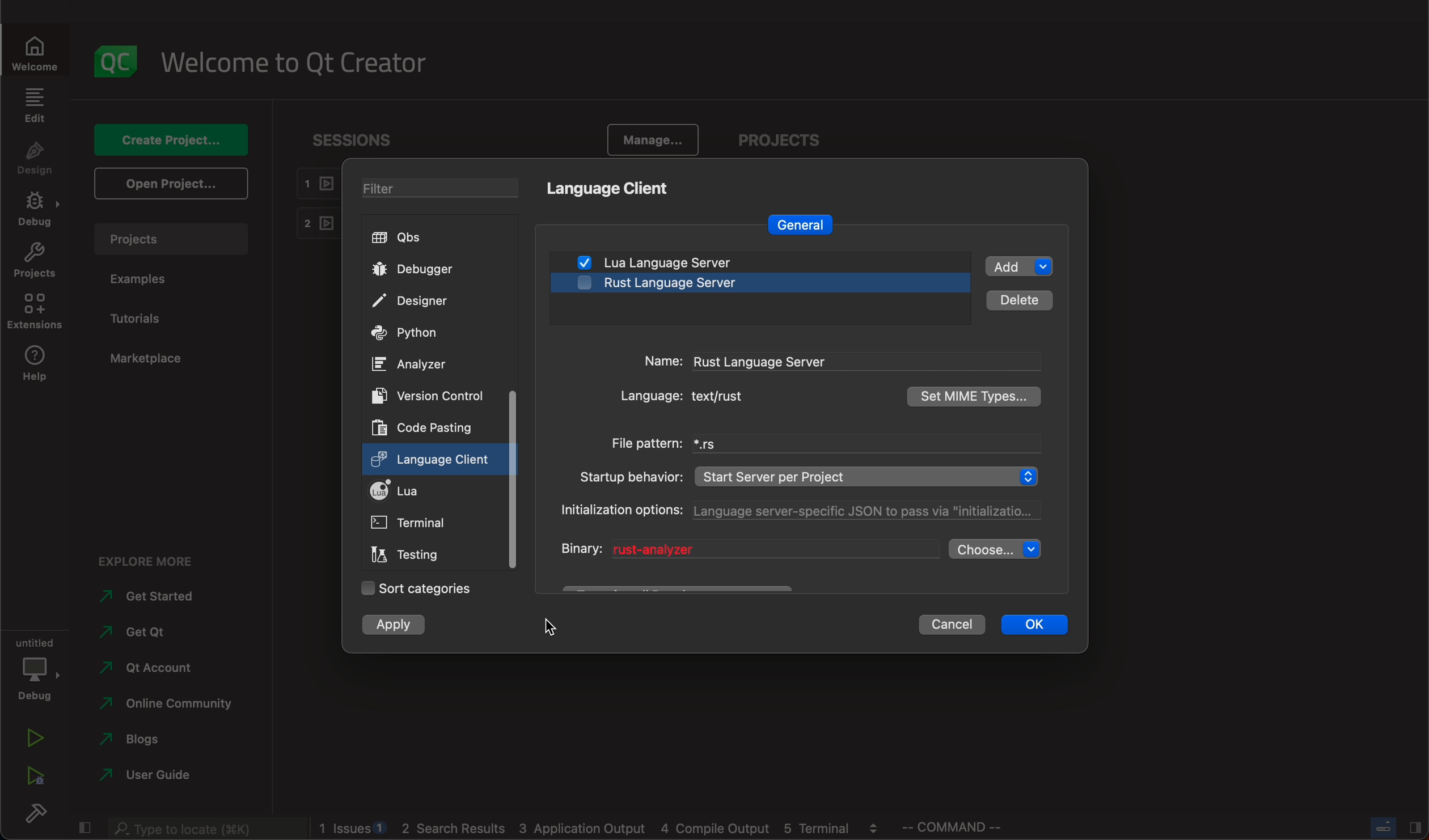 The height and width of the screenshot is (840, 1429). What do you see at coordinates (173, 707) in the screenshot?
I see `community` at bounding box center [173, 707].